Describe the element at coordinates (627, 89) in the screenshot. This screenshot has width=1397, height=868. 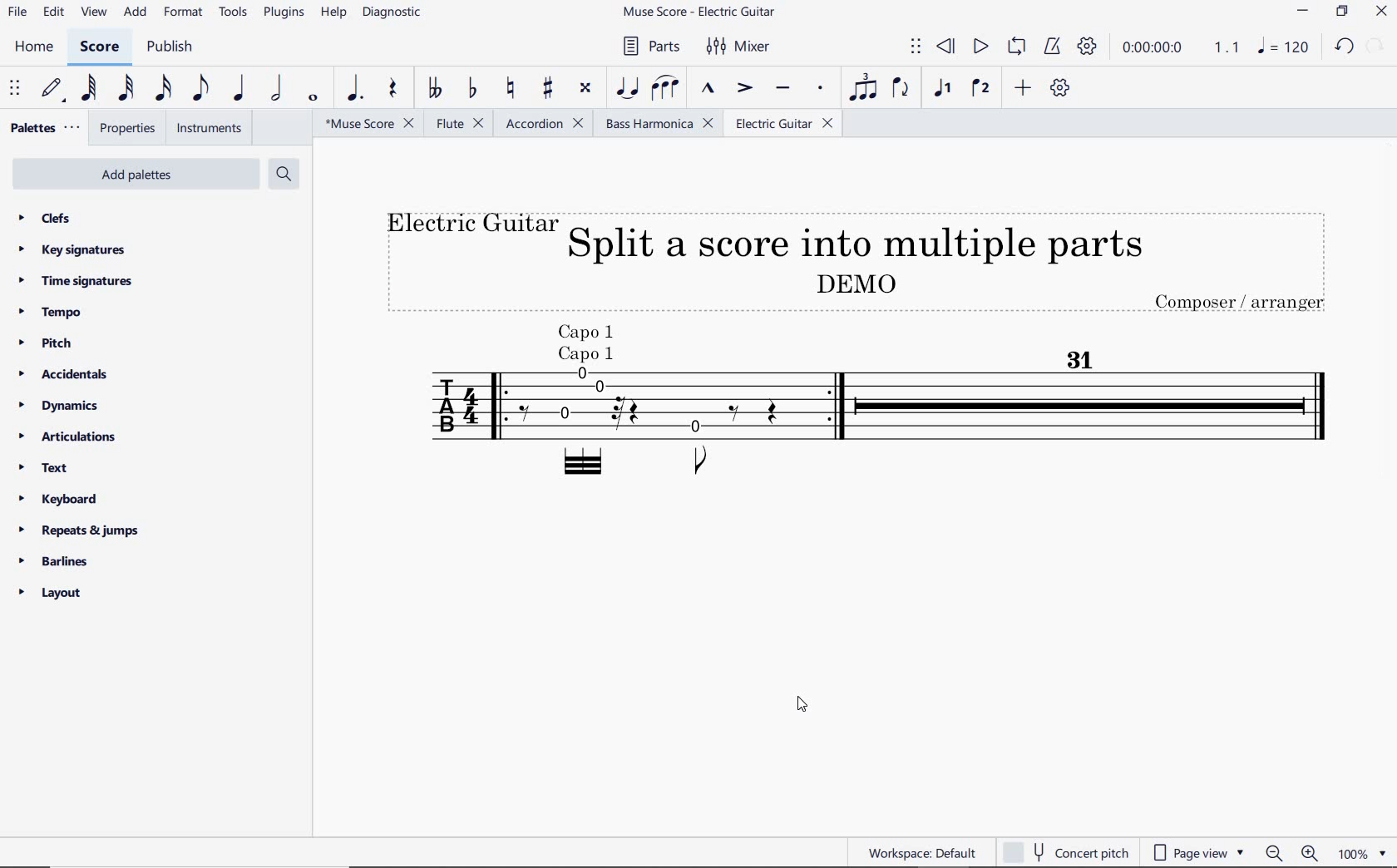
I see `tie` at that location.